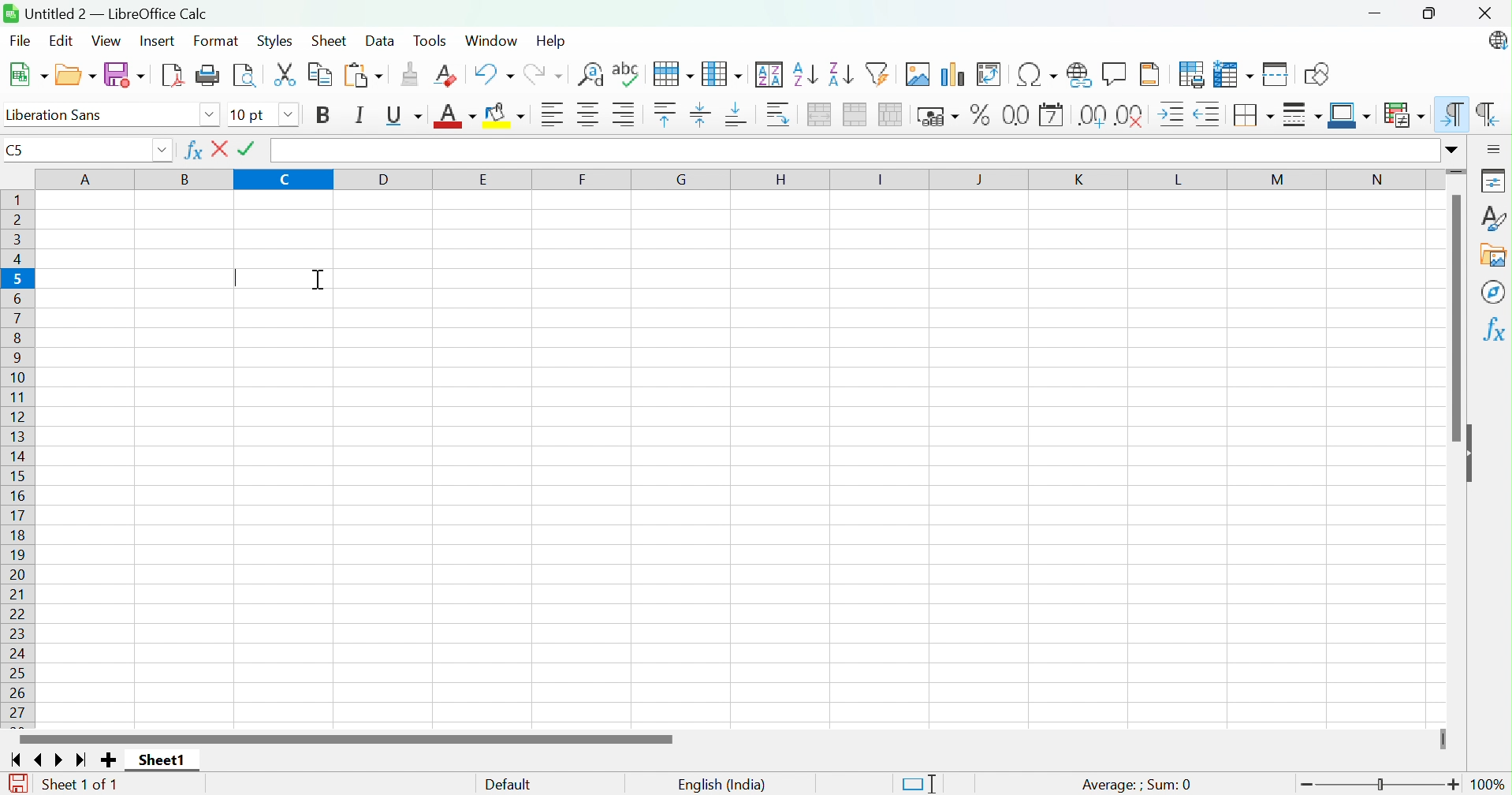 The height and width of the screenshot is (795, 1512). What do you see at coordinates (1483, 13) in the screenshot?
I see `Close` at bounding box center [1483, 13].